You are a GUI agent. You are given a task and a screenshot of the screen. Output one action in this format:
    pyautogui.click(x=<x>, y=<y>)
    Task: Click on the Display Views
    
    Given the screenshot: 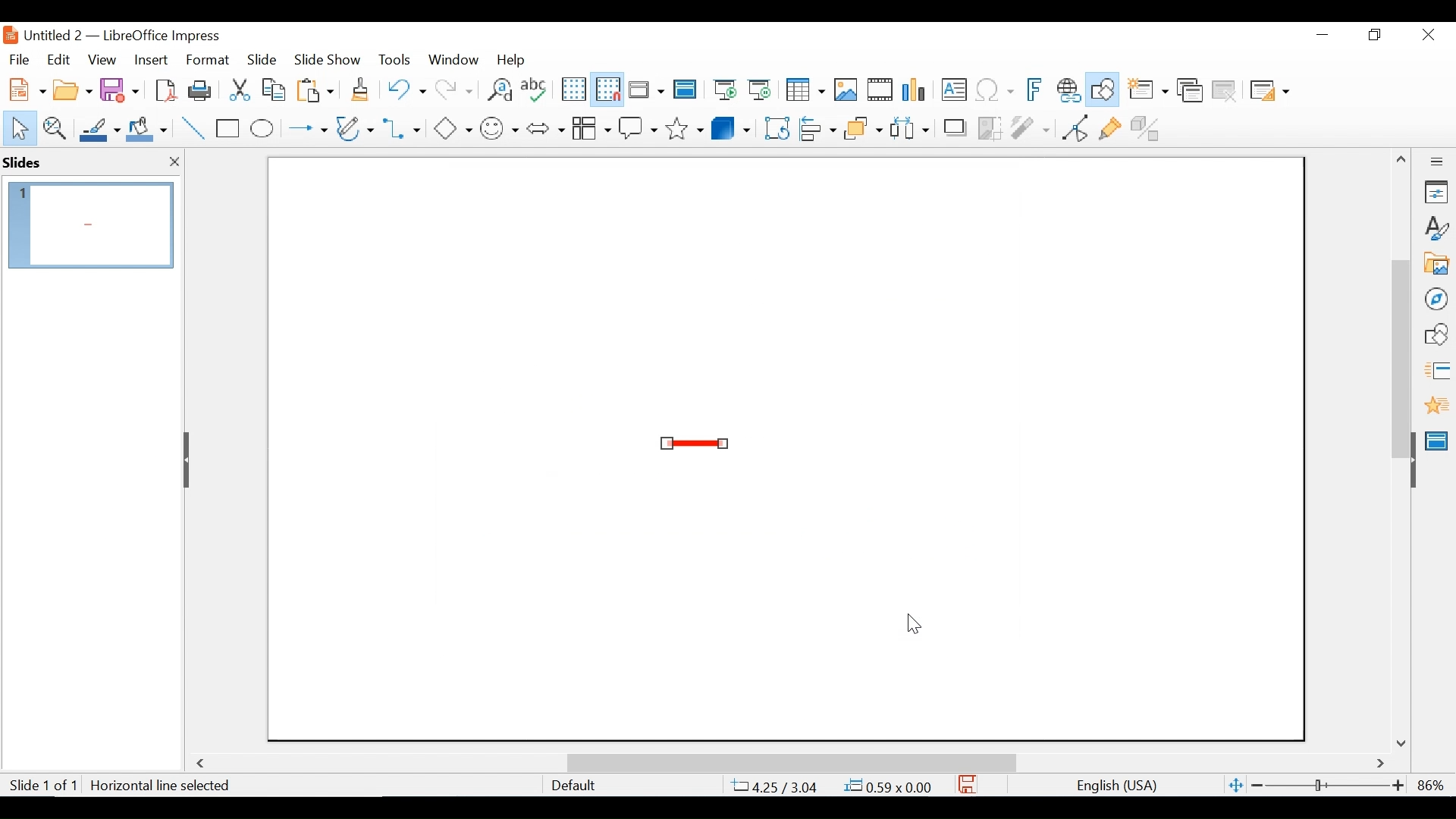 What is the action you would take?
    pyautogui.click(x=645, y=91)
    